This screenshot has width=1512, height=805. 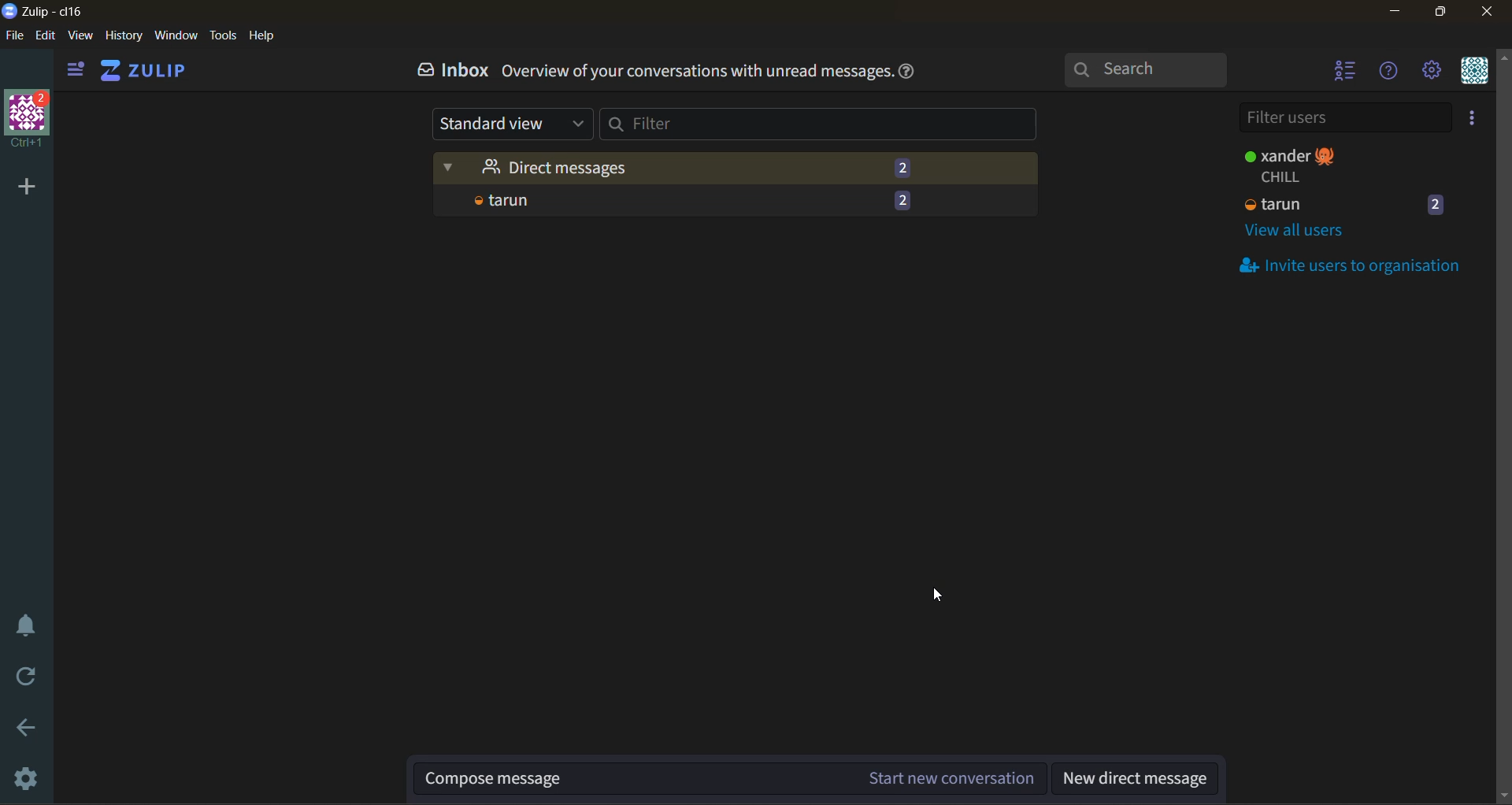 I want to click on start new conversation, so click(x=732, y=774).